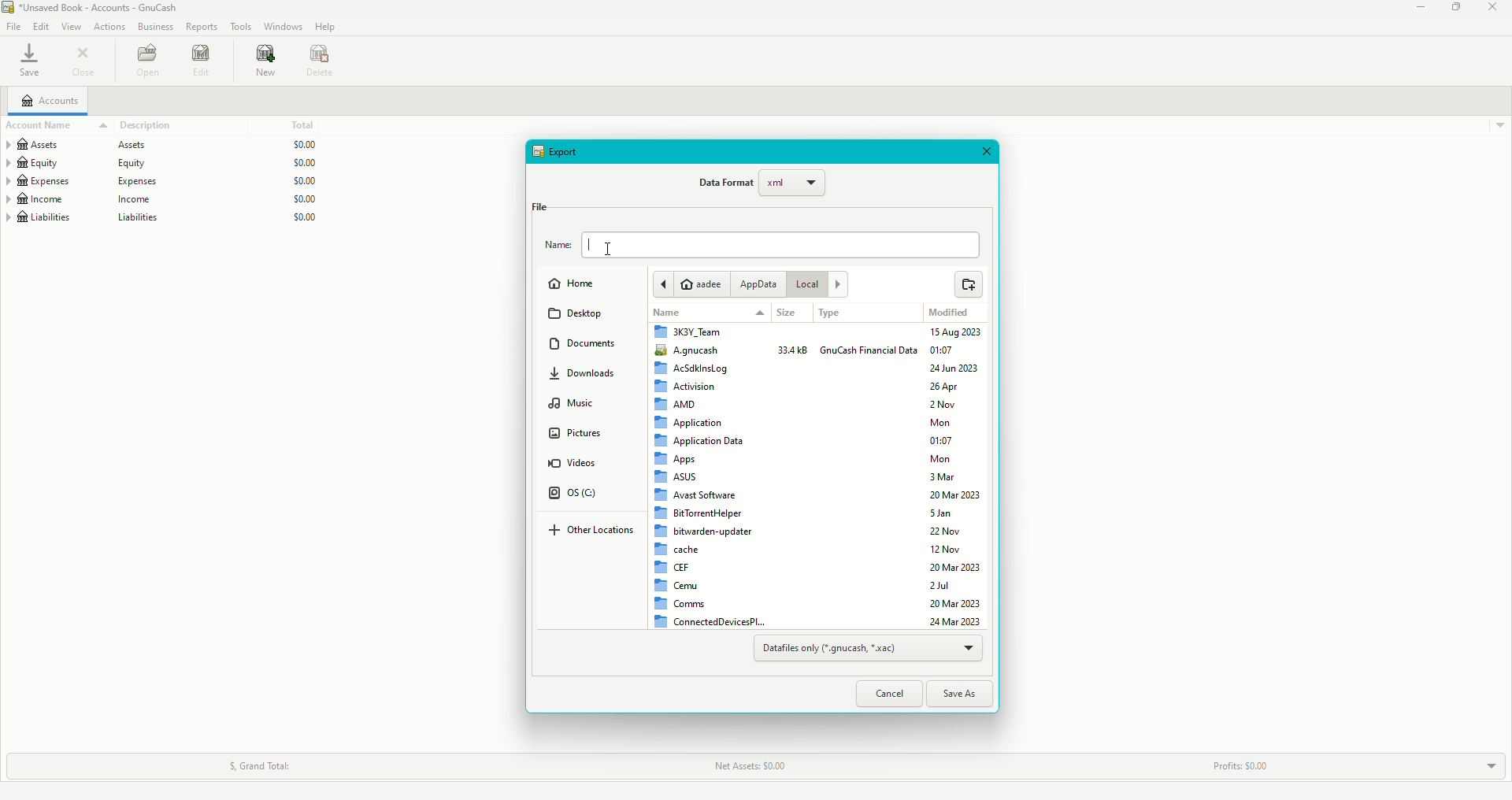  Describe the element at coordinates (154, 28) in the screenshot. I see `Business` at that location.